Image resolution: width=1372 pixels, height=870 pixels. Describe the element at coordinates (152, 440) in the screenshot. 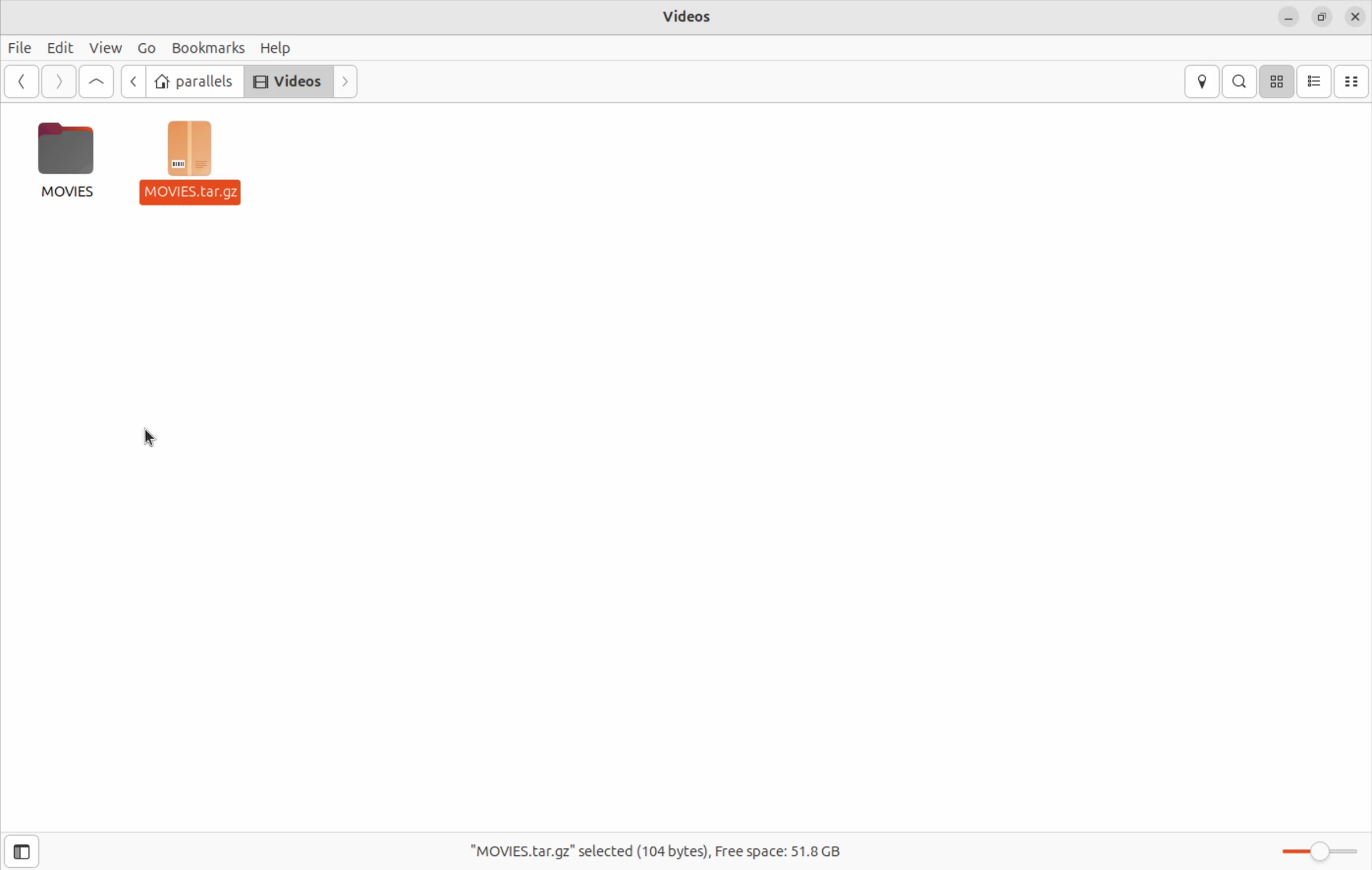

I see `cursor` at that location.